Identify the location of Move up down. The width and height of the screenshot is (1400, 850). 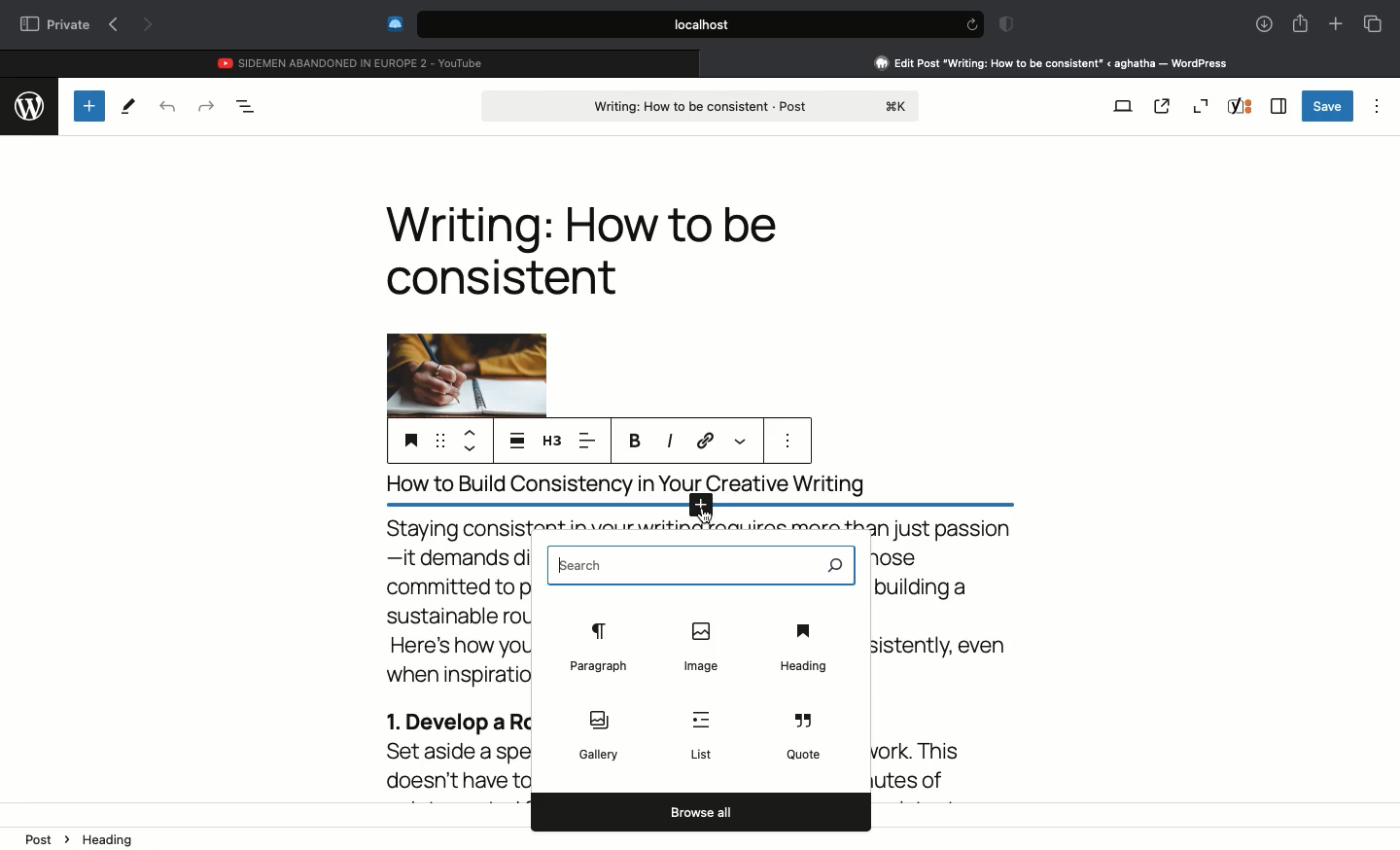
(471, 442).